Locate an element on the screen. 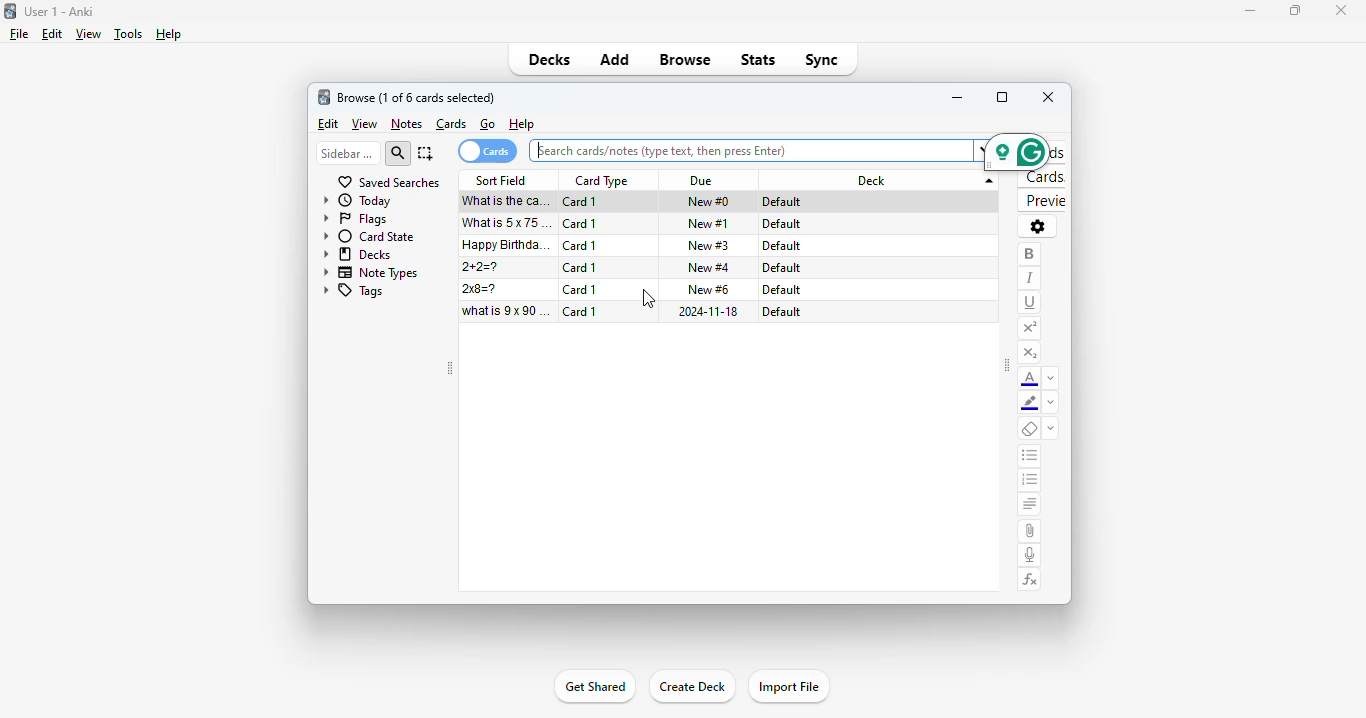 Image resolution: width=1366 pixels, height=718 pixels. help is located at coordinates (168, 34).